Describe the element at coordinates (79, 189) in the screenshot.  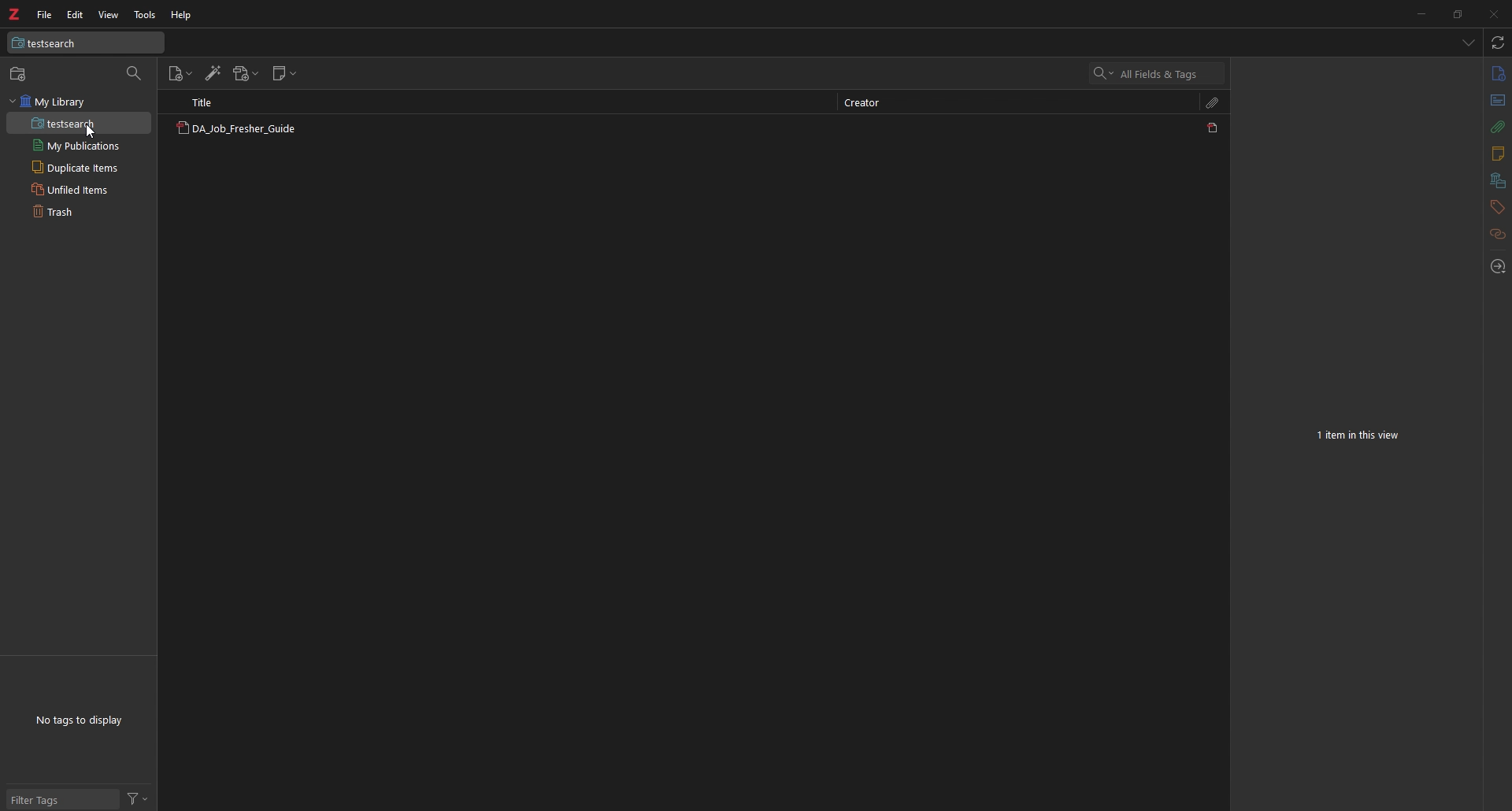
I see `unfiled items` at that location.